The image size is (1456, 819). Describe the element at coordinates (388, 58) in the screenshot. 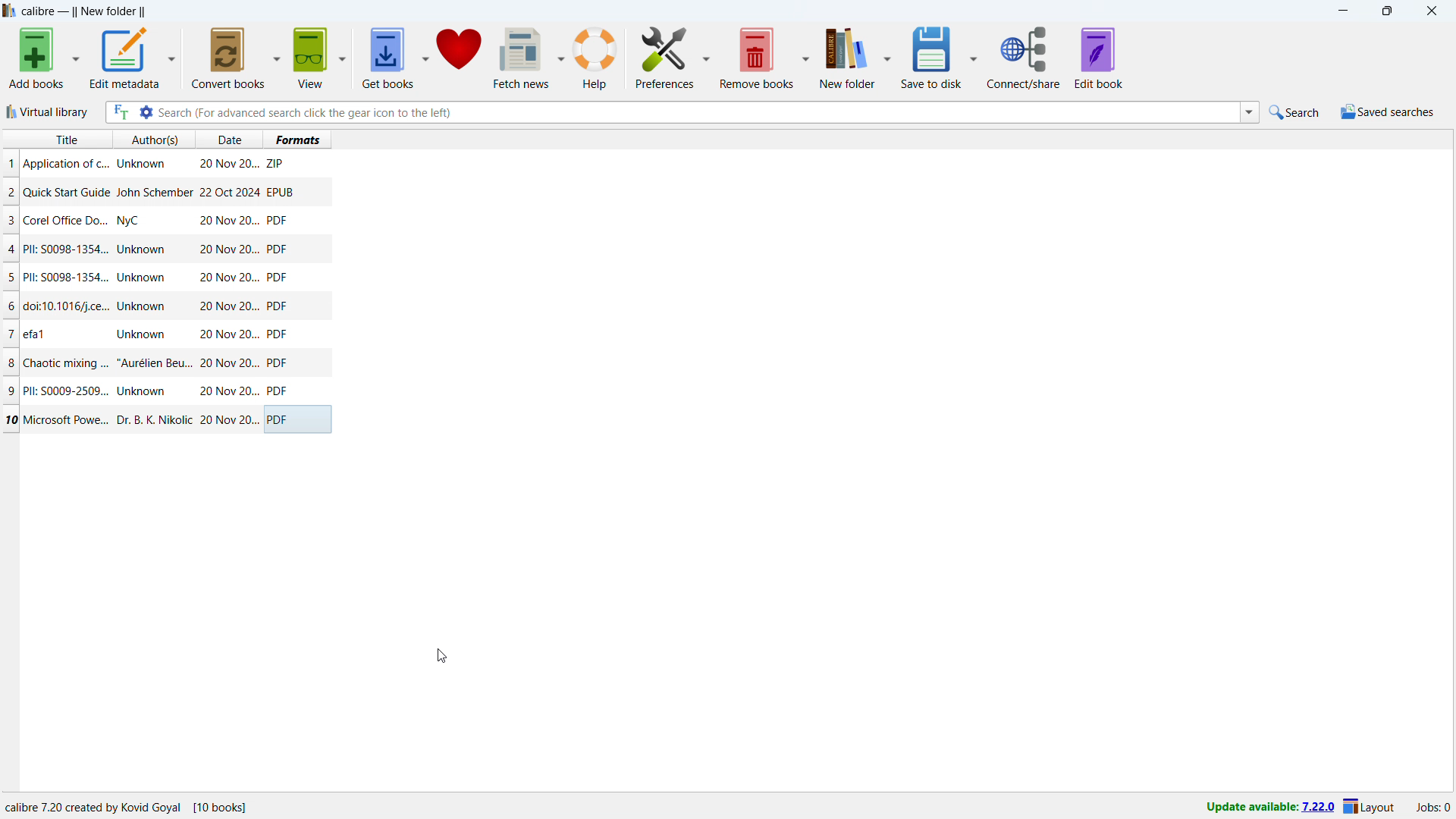

I see `get books` at that location.